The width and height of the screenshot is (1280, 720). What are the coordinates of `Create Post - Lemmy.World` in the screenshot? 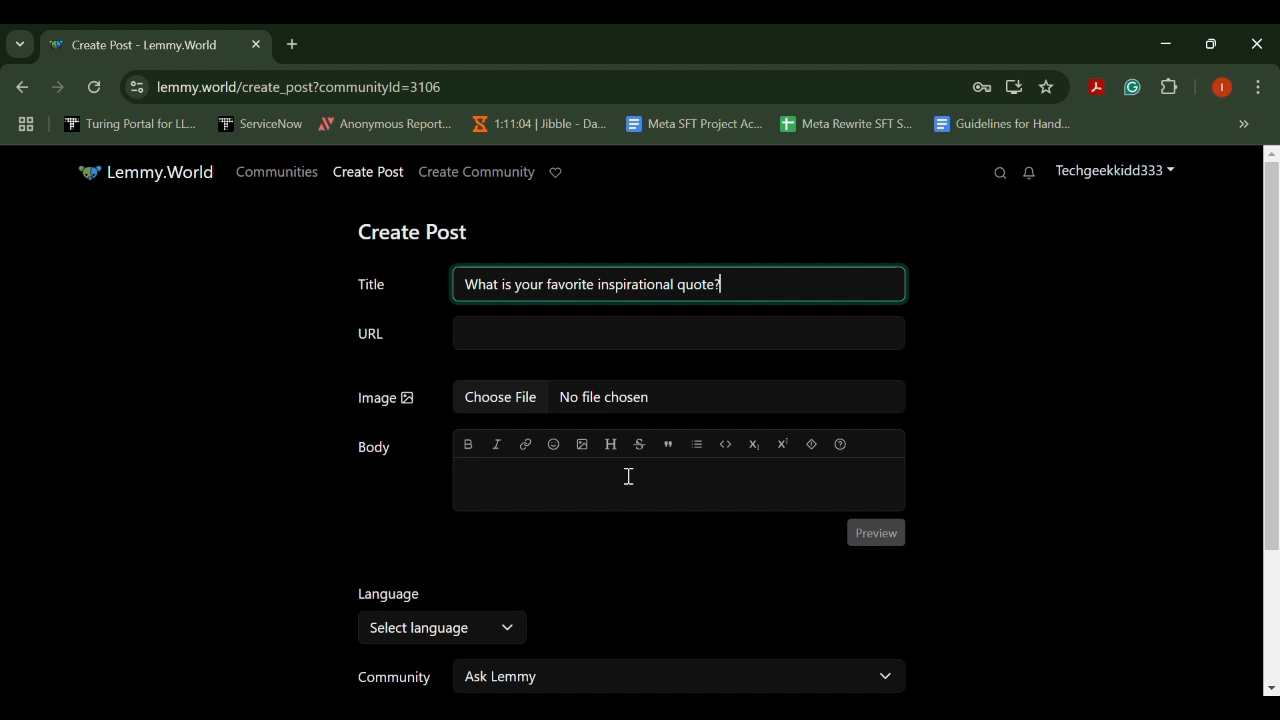 It's located at (138, 46).